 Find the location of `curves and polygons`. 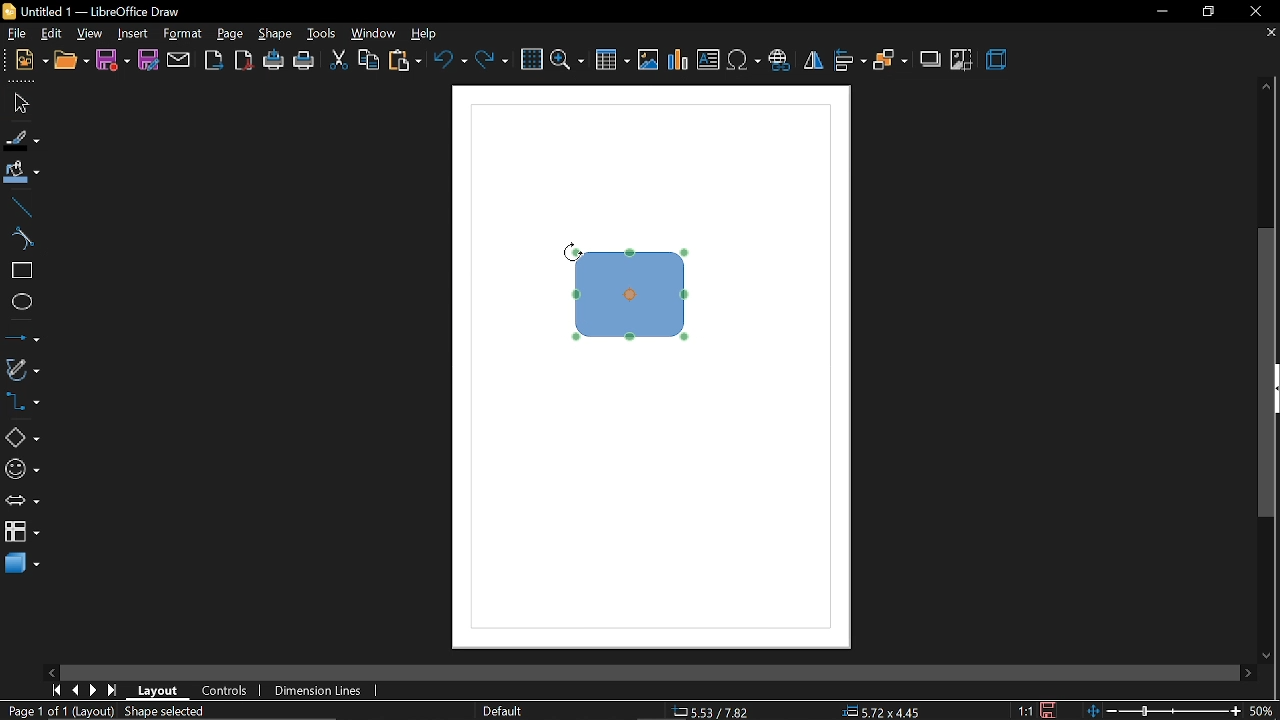

curves and polygons is located at coordinates (21, 370).